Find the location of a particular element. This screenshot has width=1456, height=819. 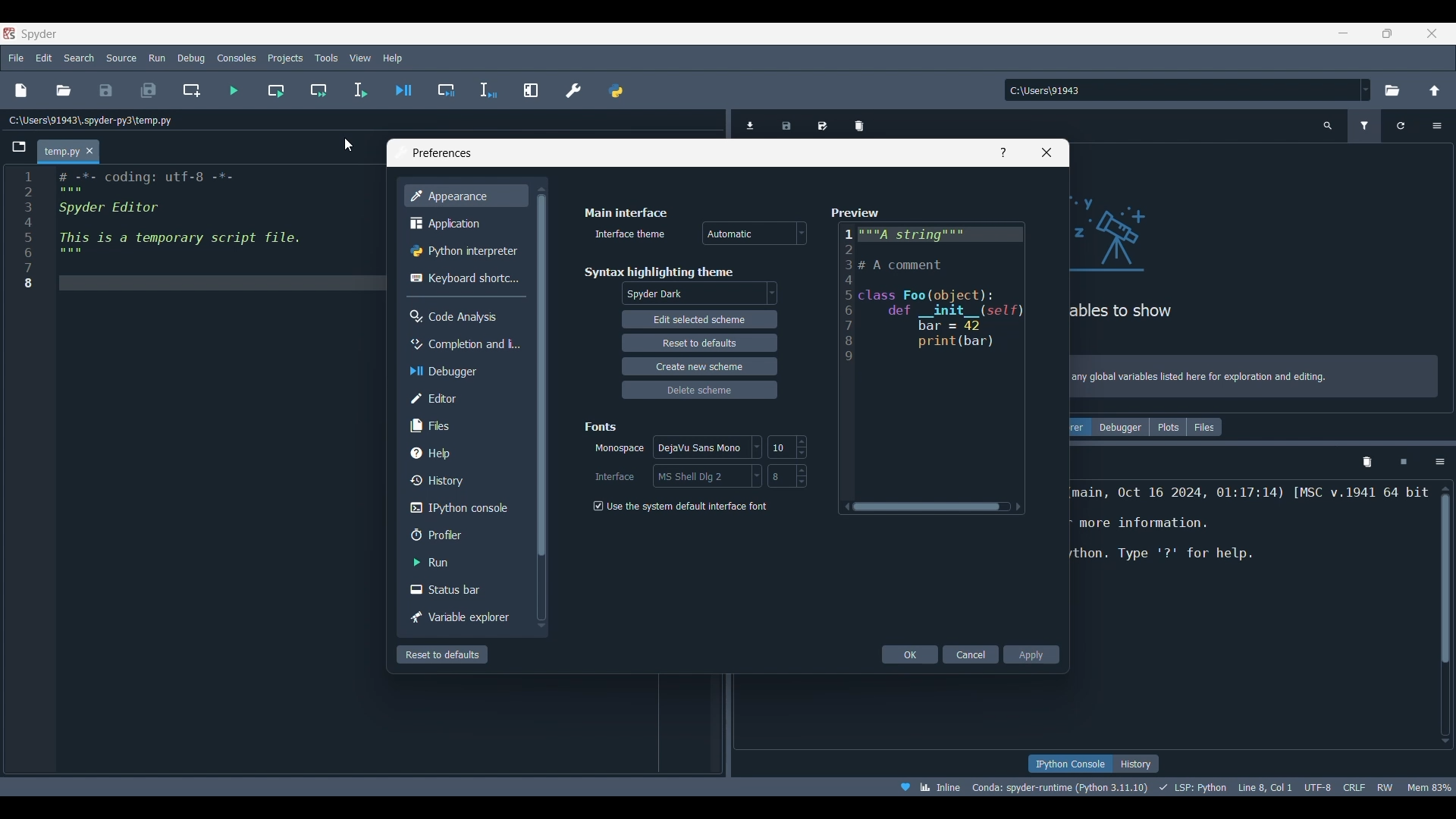

automatic is located at coordinates (752, 232).